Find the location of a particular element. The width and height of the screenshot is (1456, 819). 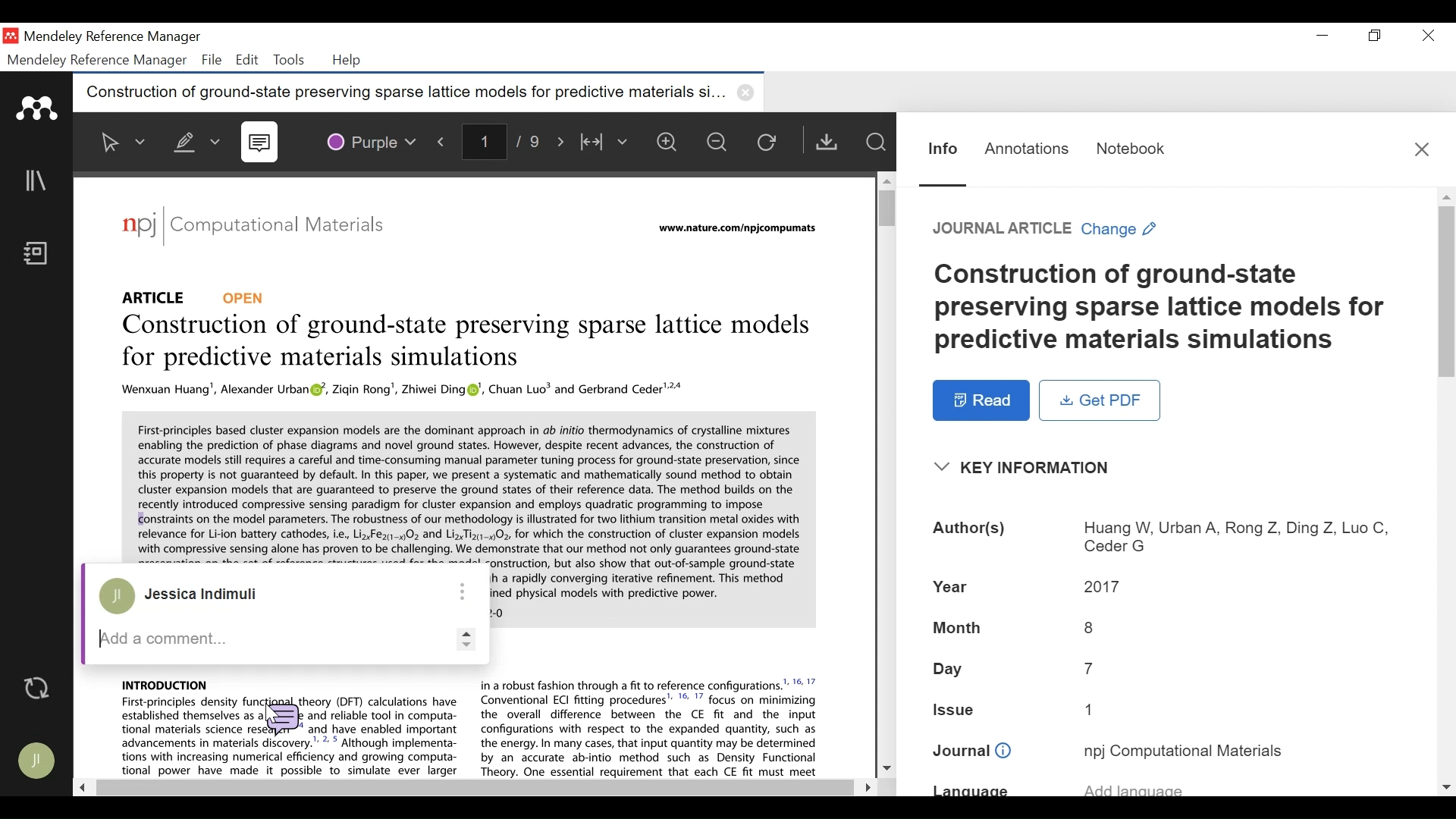

Sticky note is located at coordinates (281, 715).